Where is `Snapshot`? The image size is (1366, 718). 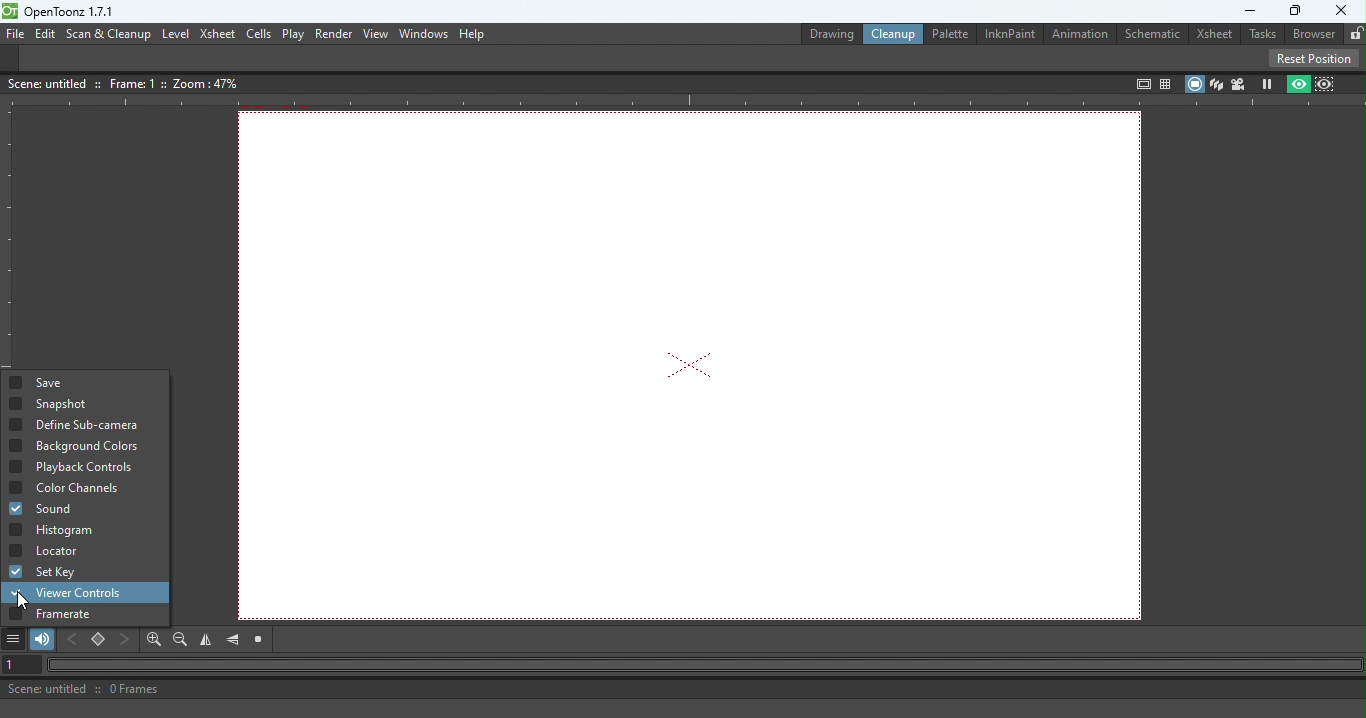
Snapshot is located at coordinates (51, 403).